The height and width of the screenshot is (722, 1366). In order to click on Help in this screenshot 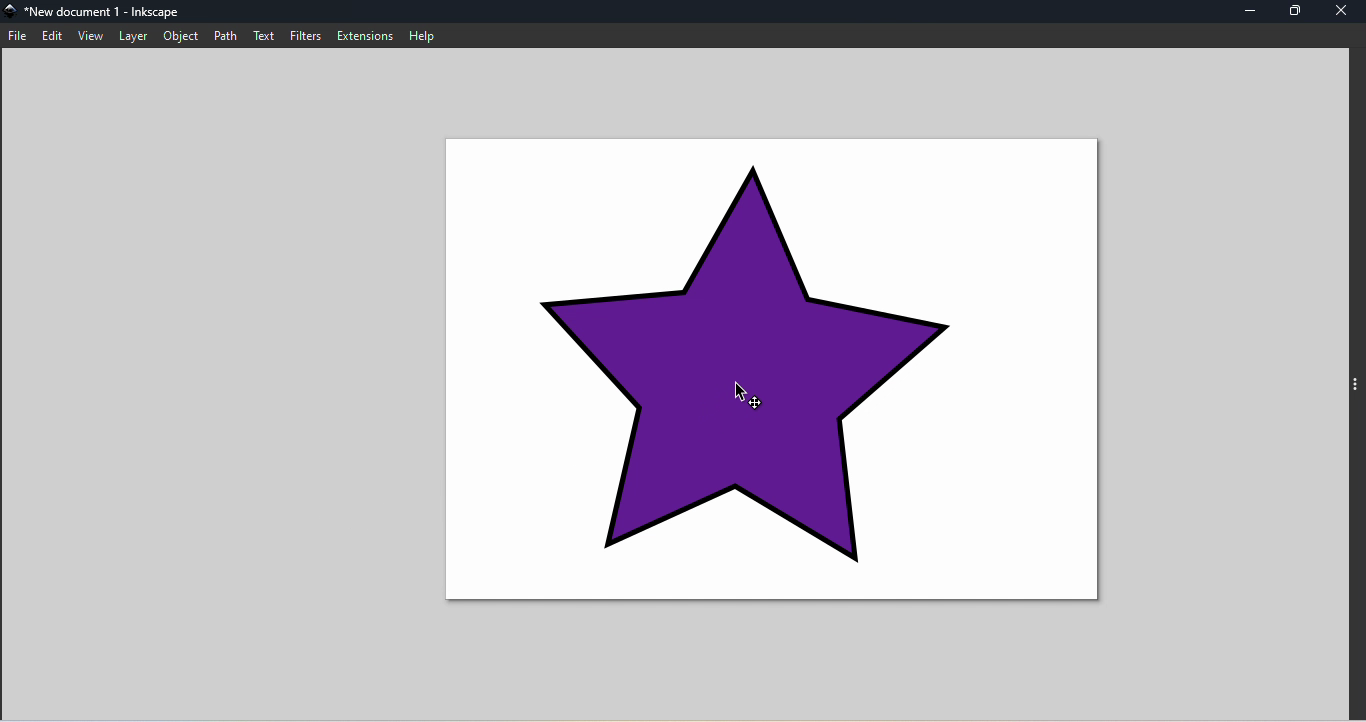, I will do `click(425, 37)`.